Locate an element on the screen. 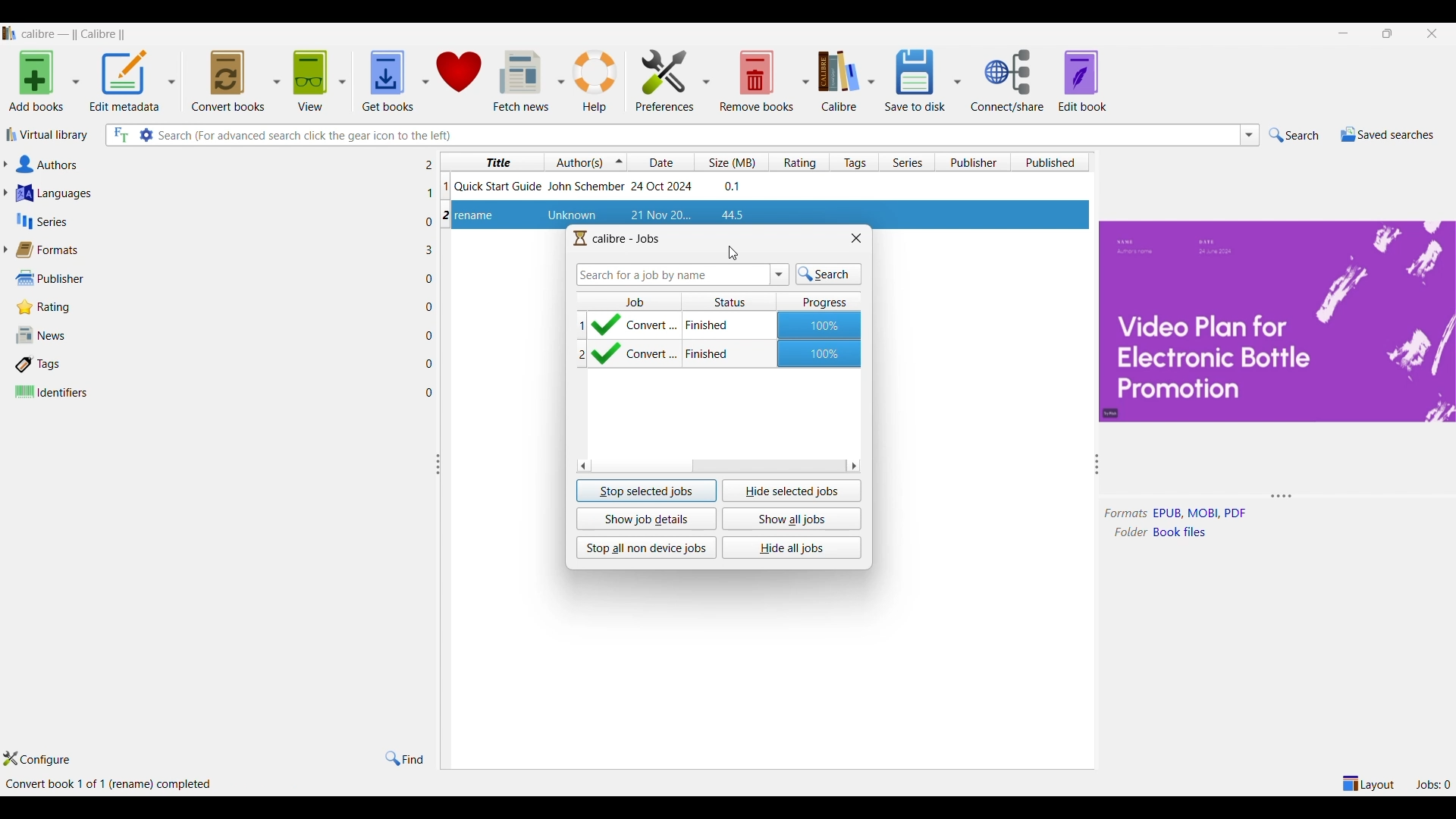 This screenshot has width=1456, height=819. Convert books is located at coordinates (227, 80).